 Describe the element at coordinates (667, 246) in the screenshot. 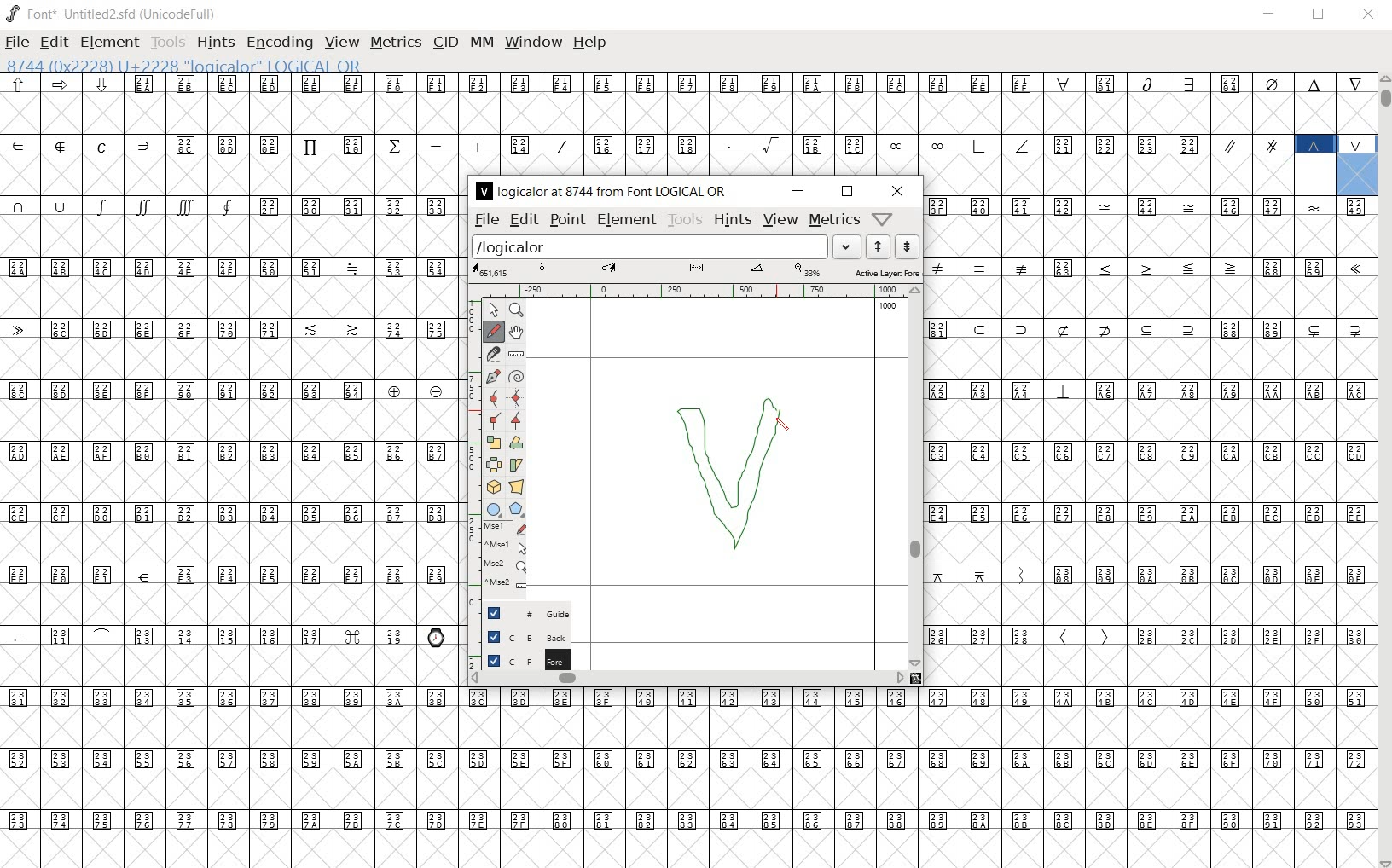

I see `load word list` at that location.